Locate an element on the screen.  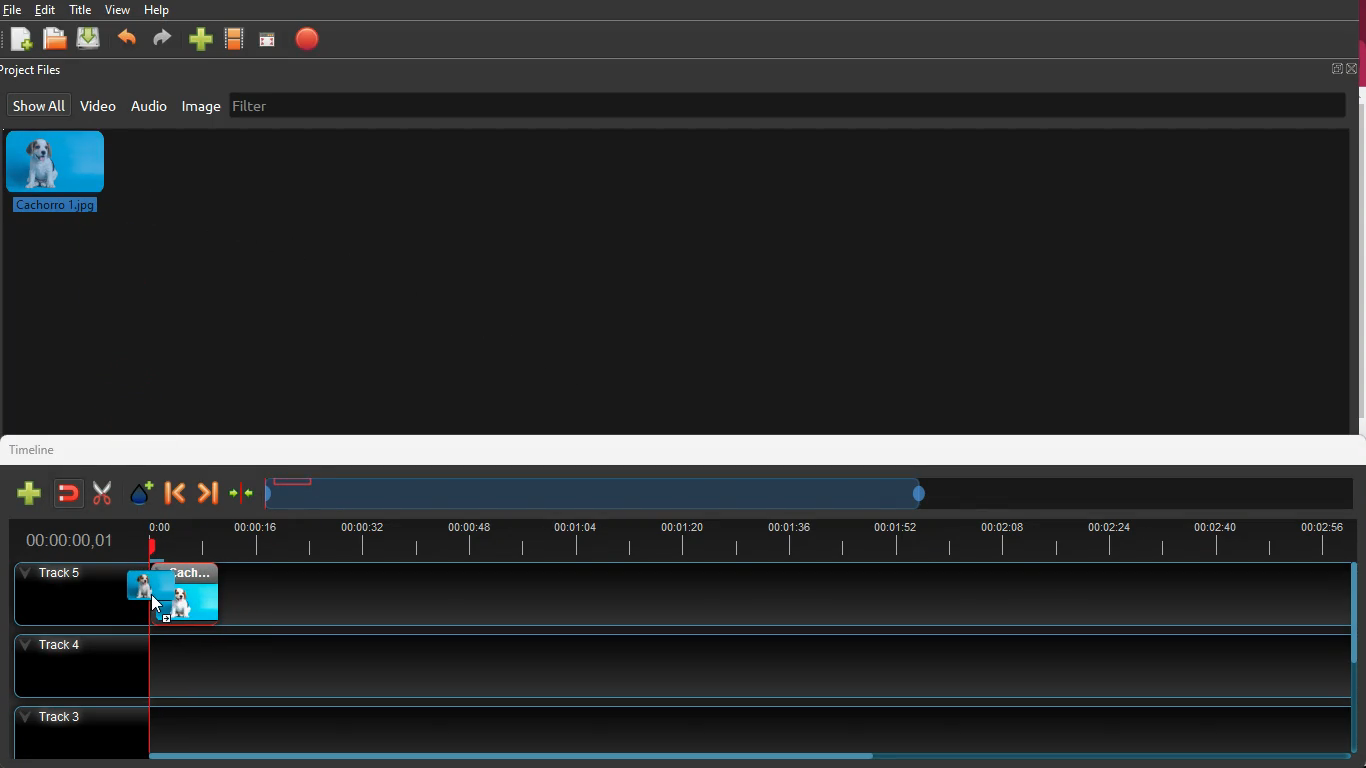
add is located at coordinates (20, 41).